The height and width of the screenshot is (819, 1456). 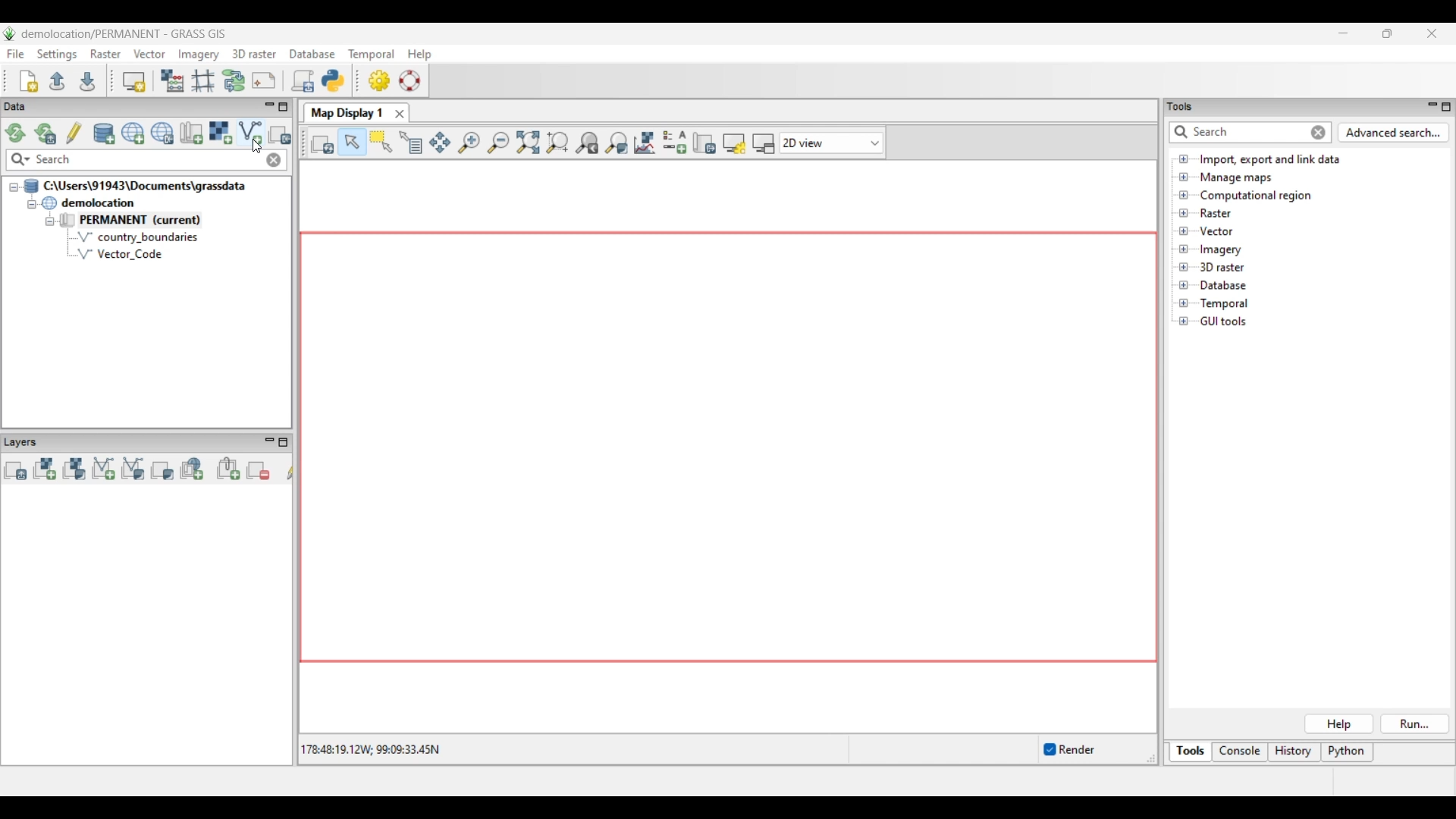 What do you see at coordinates (88, 202) in the screenshot?
I see `Double click to collapse demolocation` at bounding box center [88, 202].